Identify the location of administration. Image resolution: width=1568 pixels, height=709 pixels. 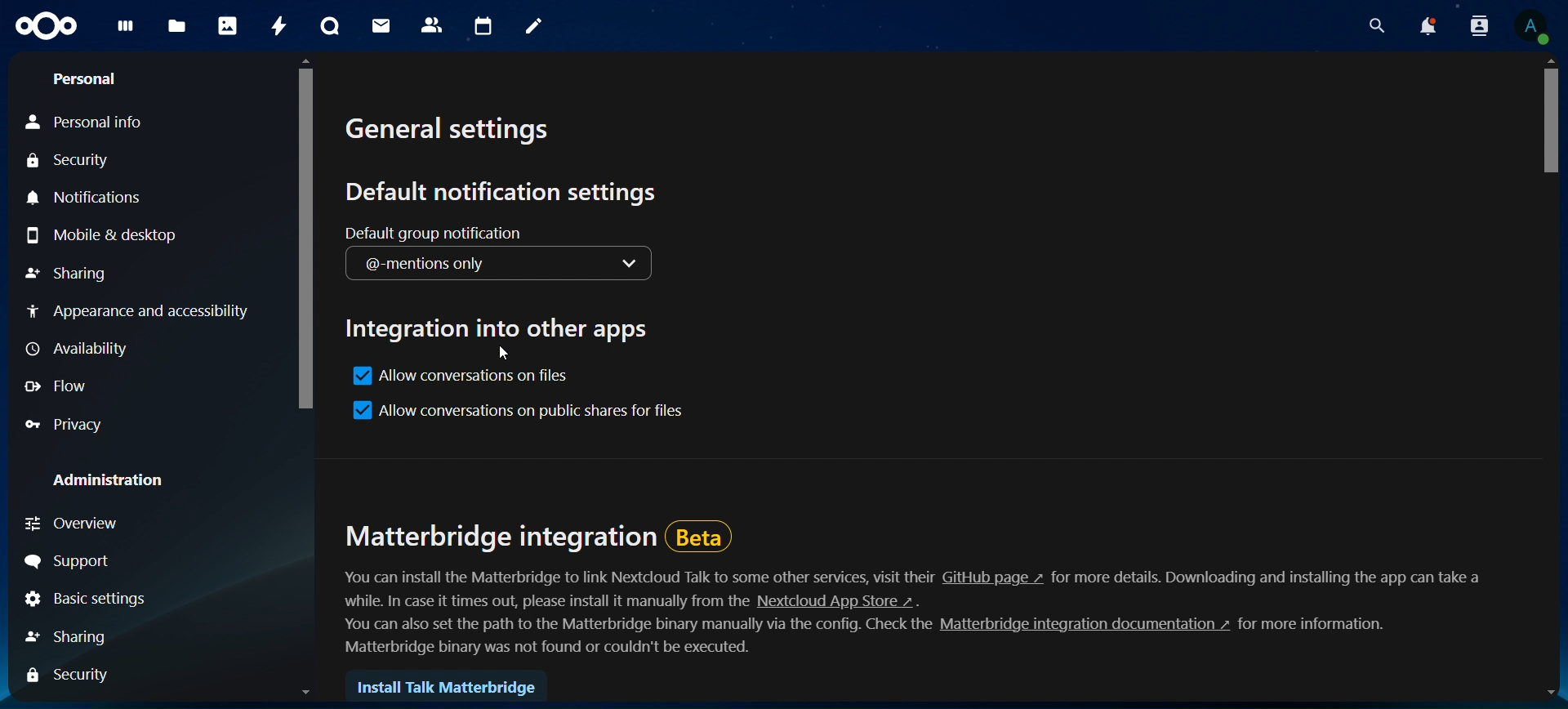
(111, 478).